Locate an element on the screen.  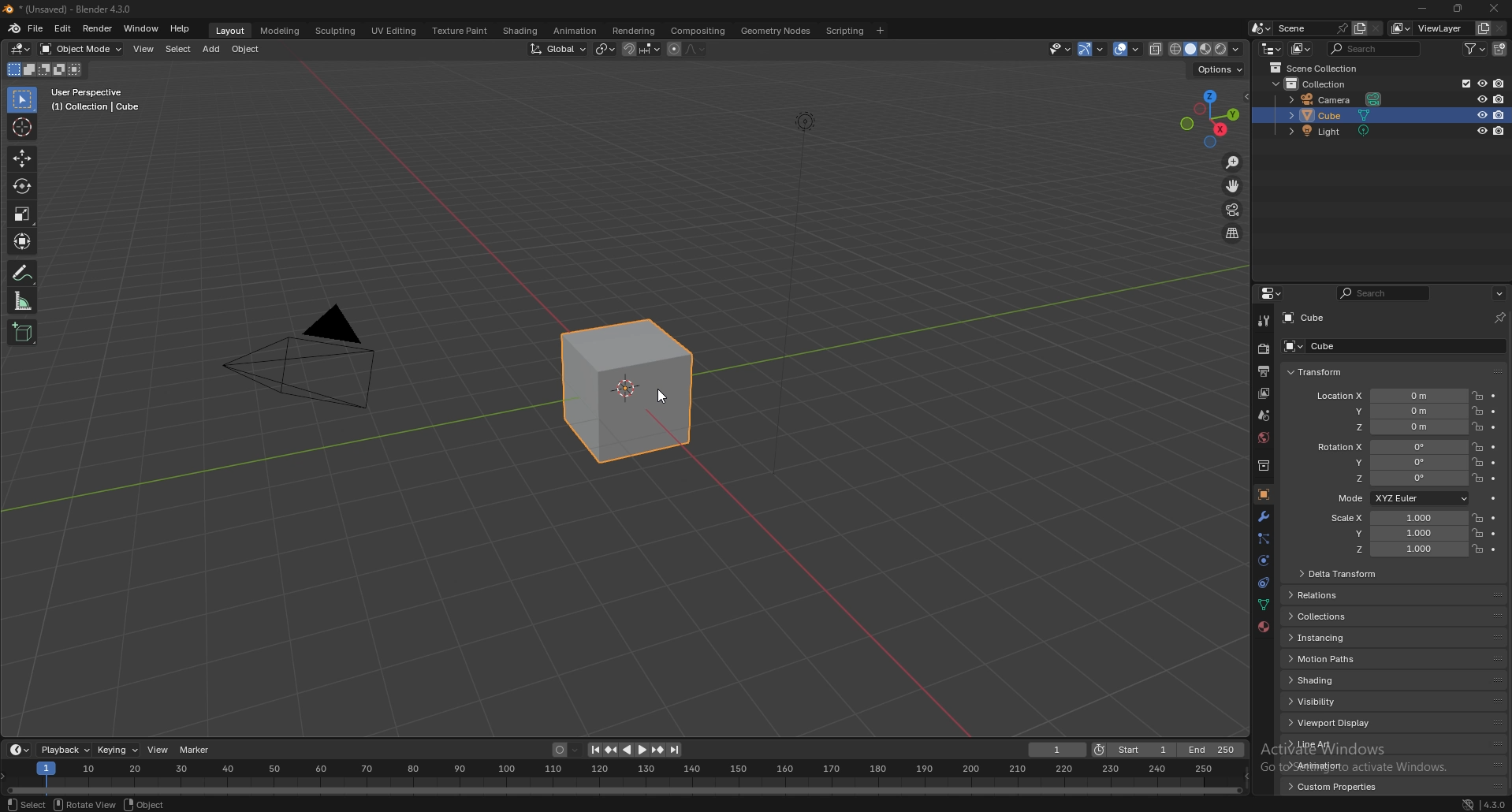
editor type is located at coordinates (20, 750).